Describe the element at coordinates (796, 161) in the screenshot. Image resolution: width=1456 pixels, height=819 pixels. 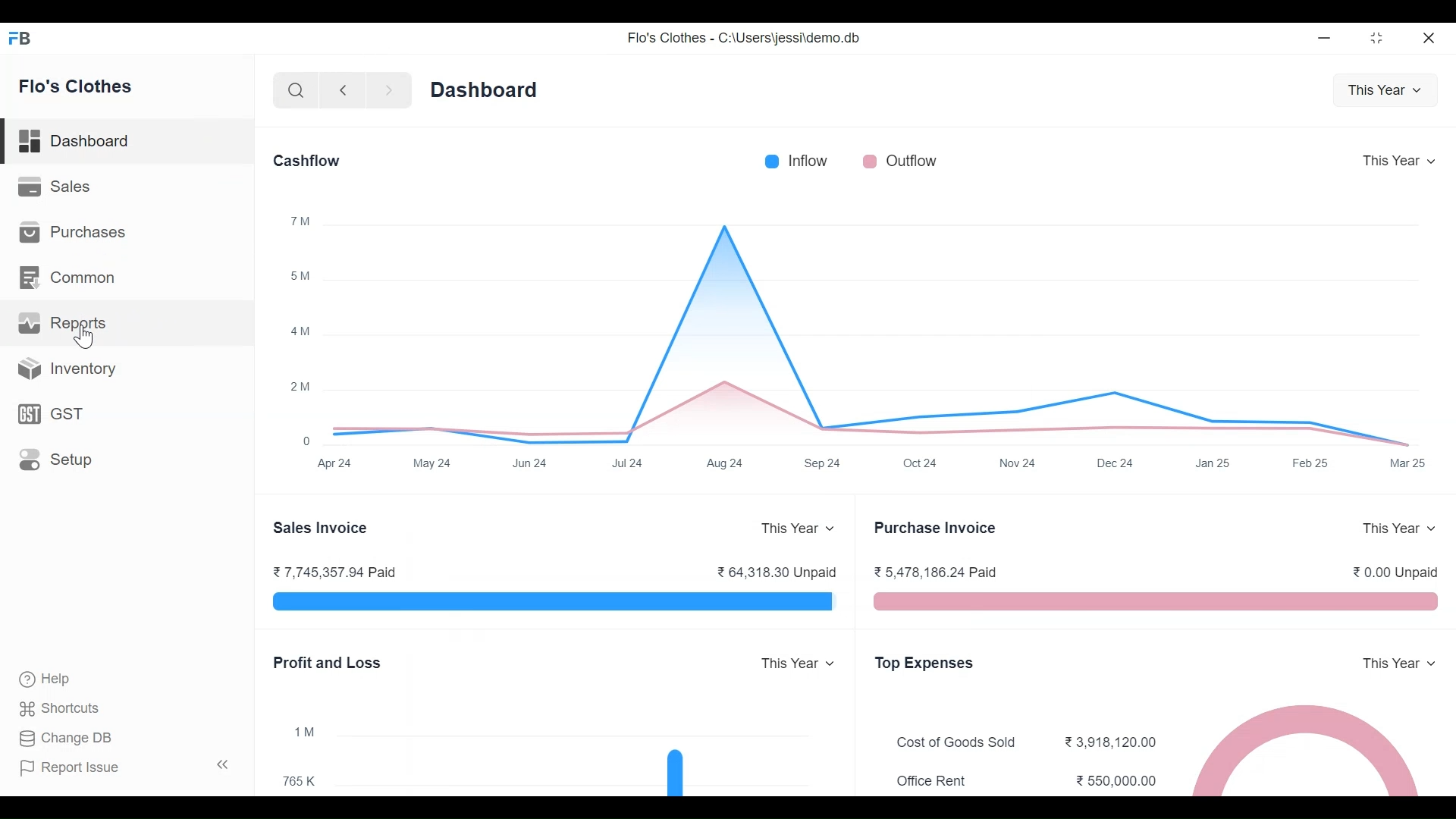
I see `inflow` at that location.